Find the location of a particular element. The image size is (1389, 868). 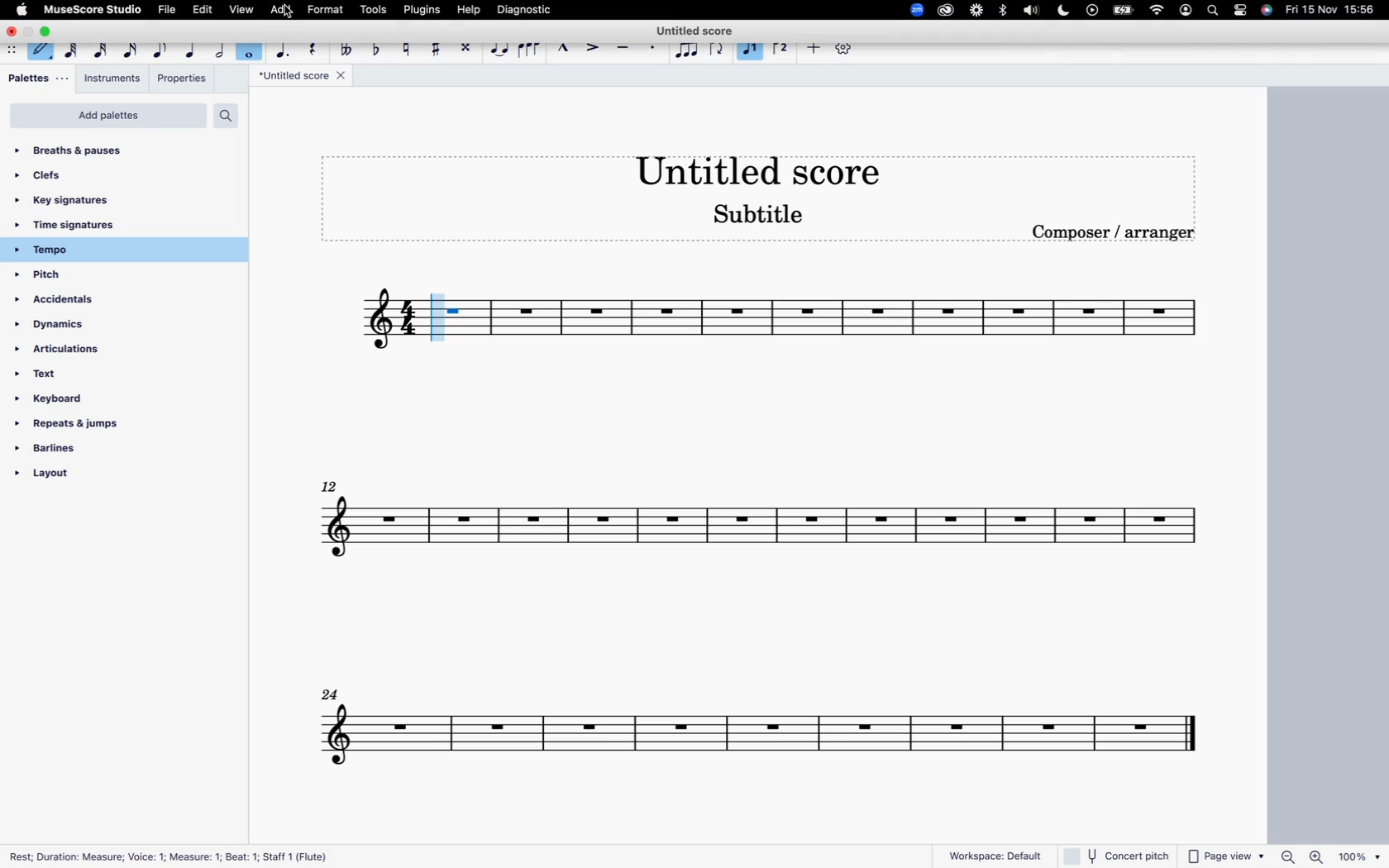

Rest; Duration: Measure; Voice: 1; Measure: 1; Beat: 1; Staff 1 (Flute) is located at coordinates (173, 853).